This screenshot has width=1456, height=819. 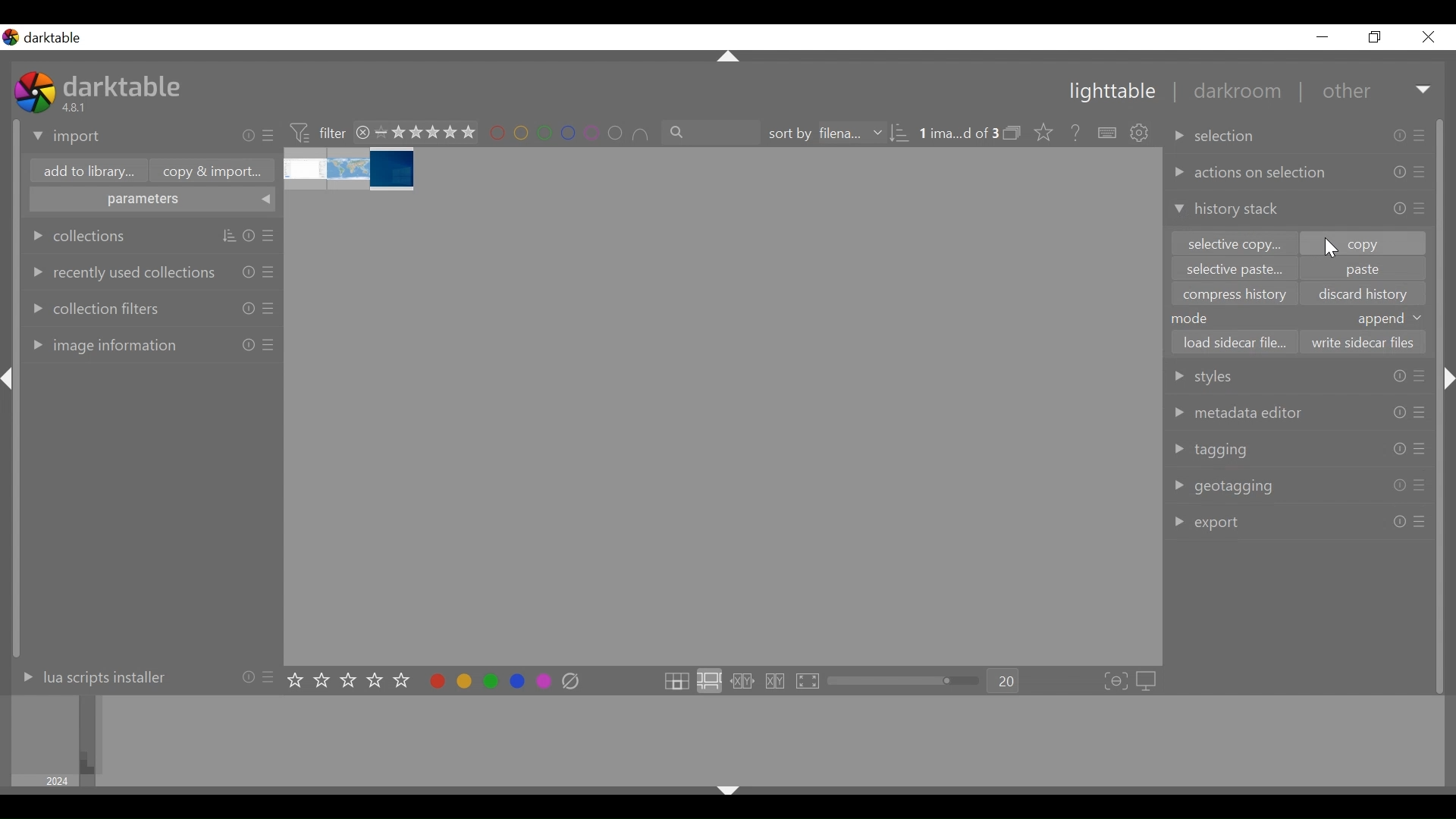 What do you see at coordinates (1422, 134) in the screenshot?
I see `presets` at bounding box center [1422, 134].